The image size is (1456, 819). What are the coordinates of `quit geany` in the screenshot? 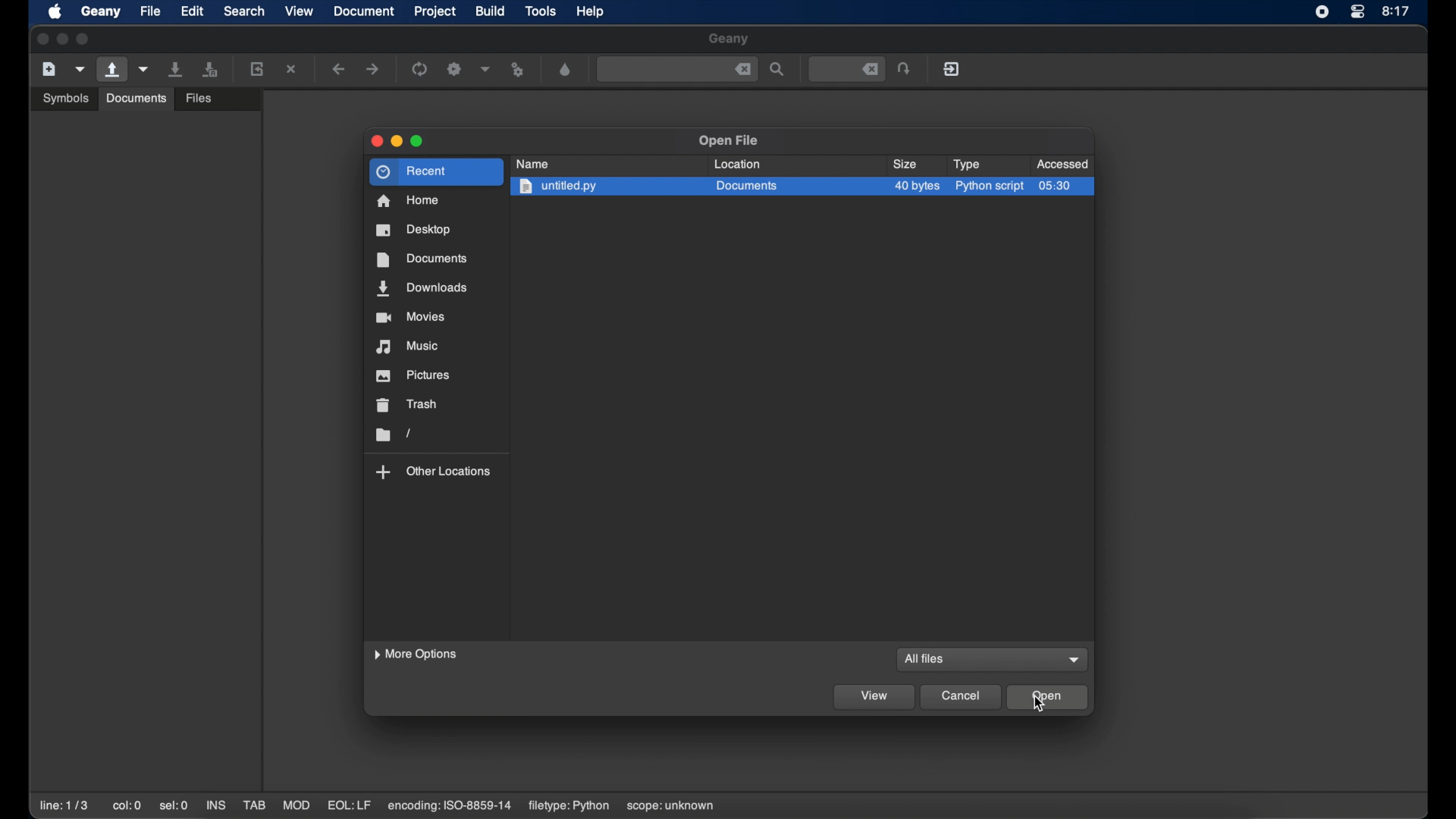 It's located at (952, 68).